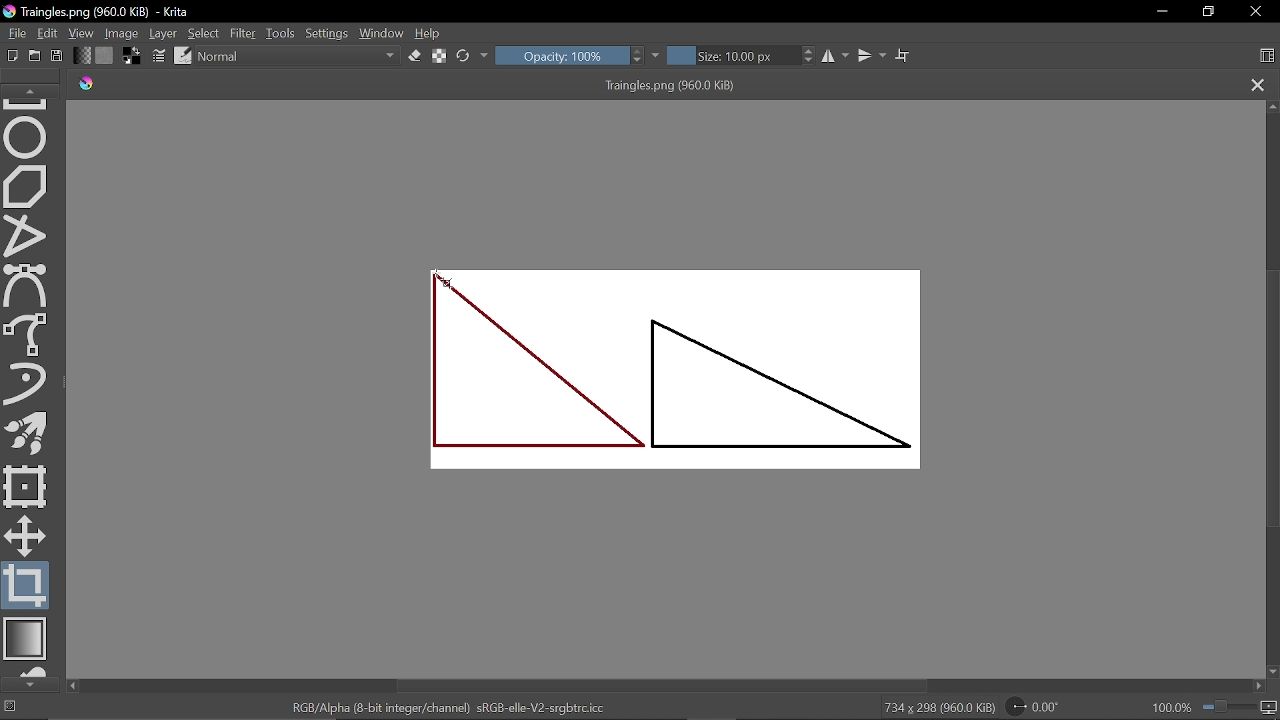  What do you see at coordinates (1258, 86) in the screenshot?
I see `Close tab` at bounding box center [1258, 86].